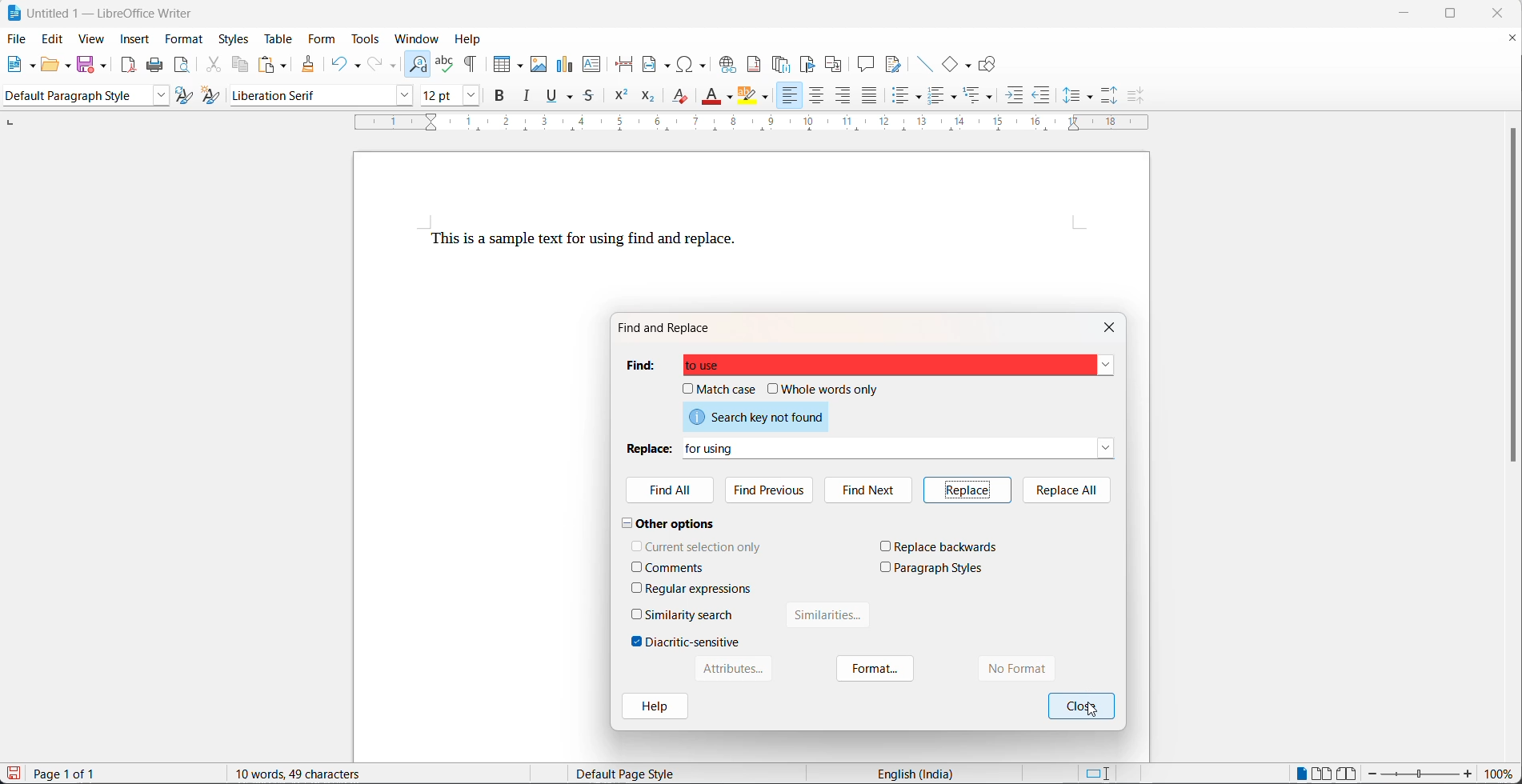 The height and width of the screenshot is (784, 1522). I want to click on spellings, so click(445, 59).